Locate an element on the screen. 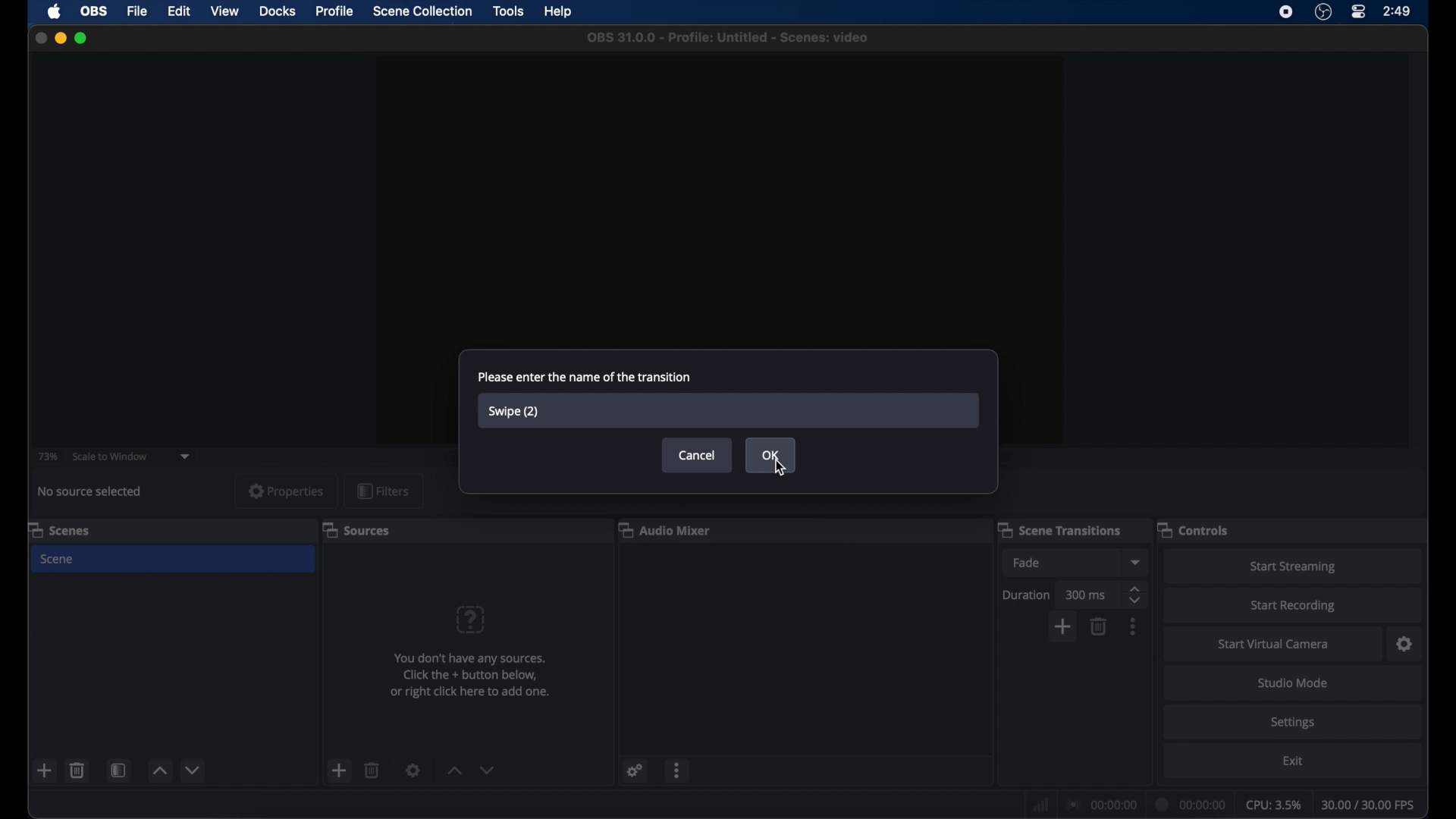 The width and height of the screenshot is (1456, 819). settings is located at coordinates (635, 770).